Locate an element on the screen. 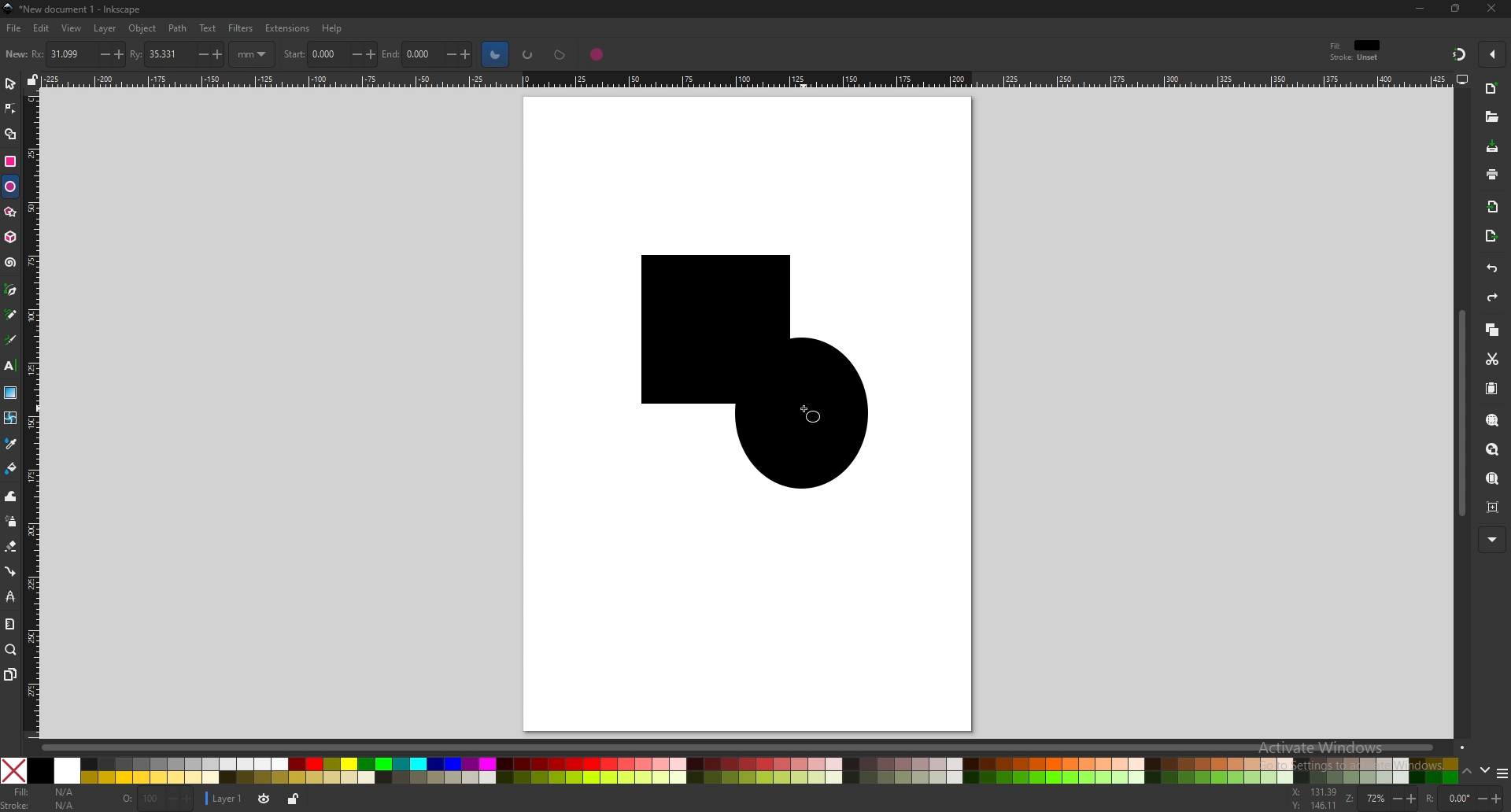  horizontal ruler is located at coordinates (739, 79).